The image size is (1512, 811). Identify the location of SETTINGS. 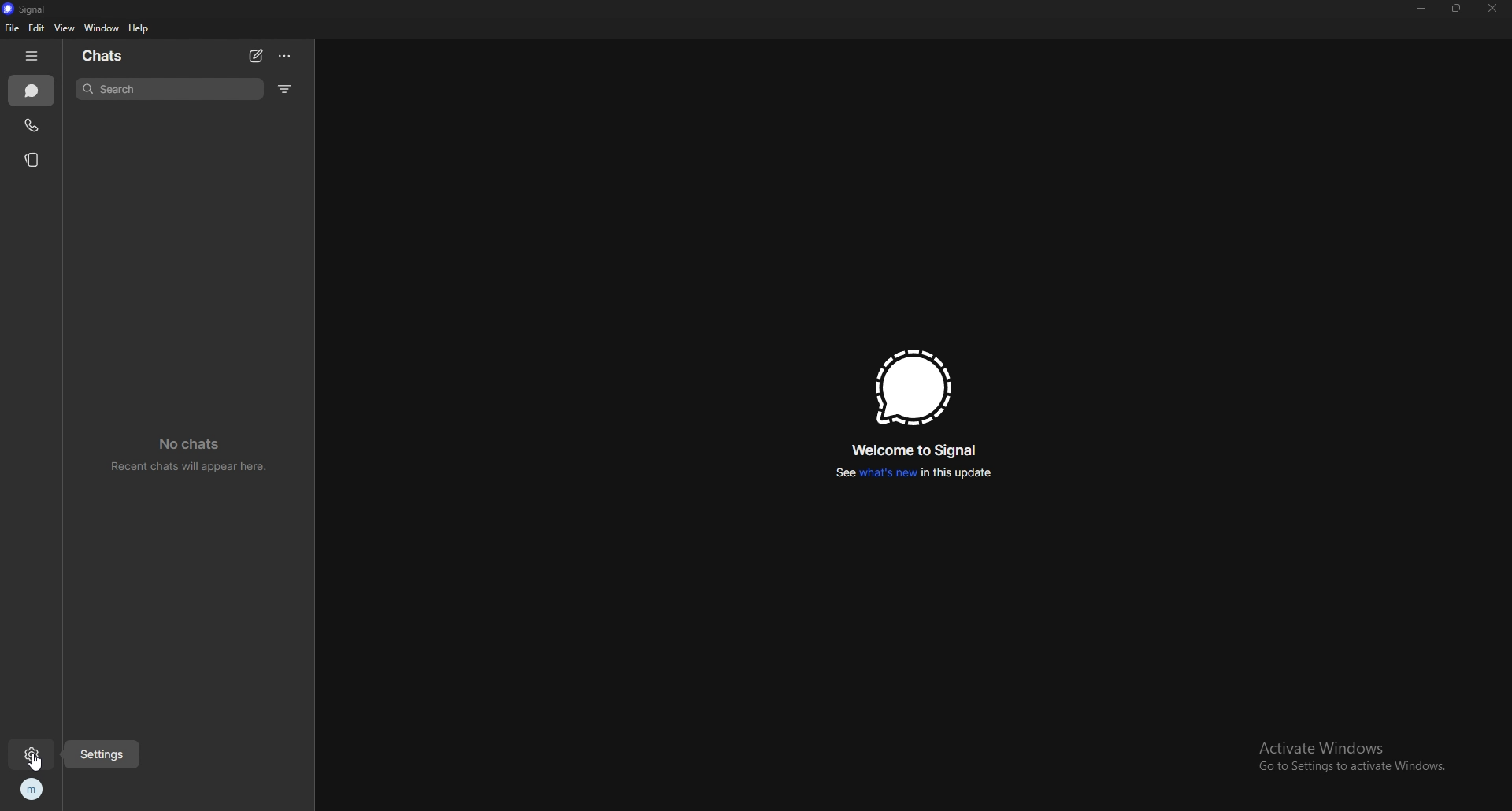
(104, 751).